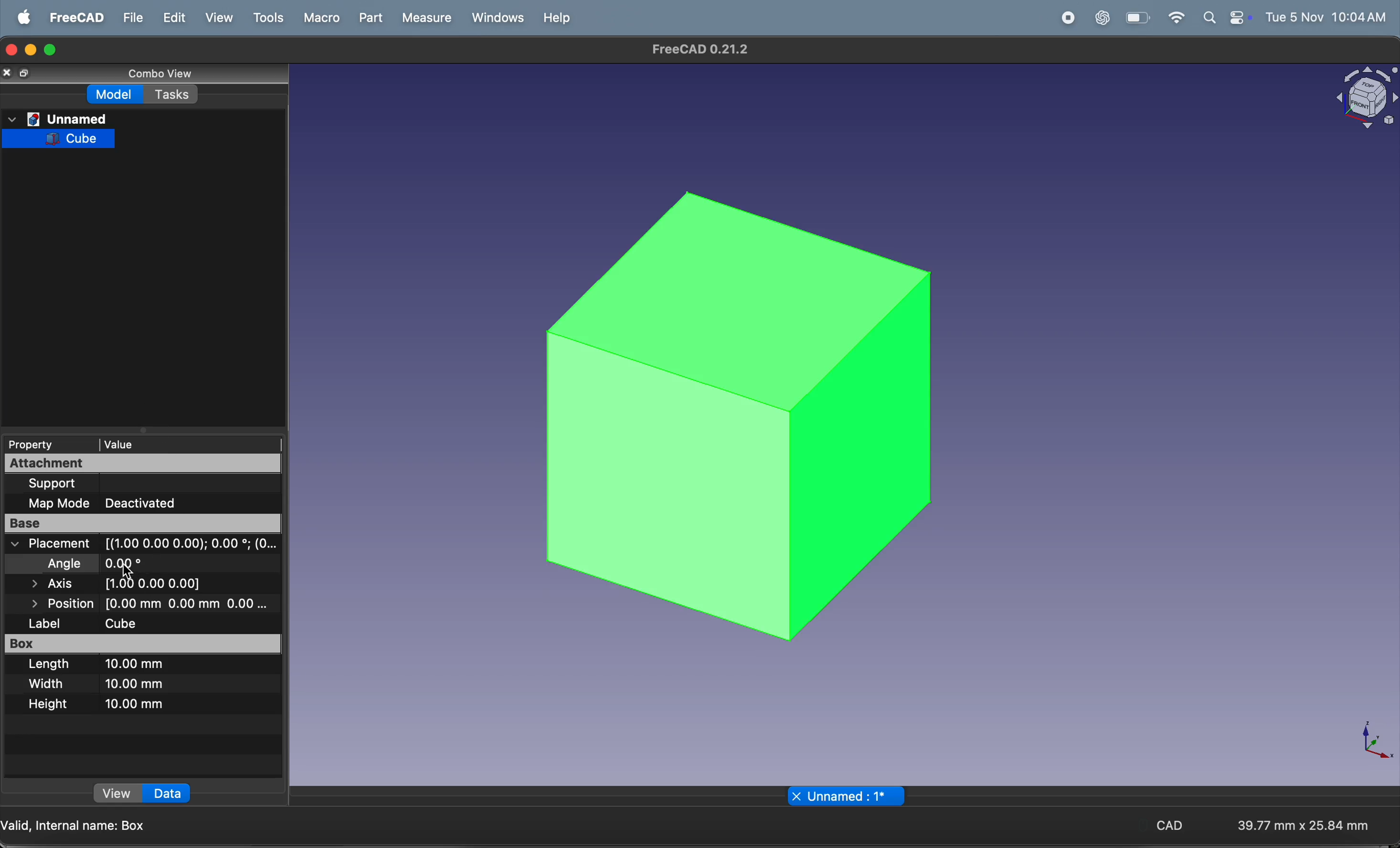 Image resolution: width=1400 pixels, height=848 pixels. Describe the element at coordinates (33, 49) in the screenshot. I see `minimize` at that location.